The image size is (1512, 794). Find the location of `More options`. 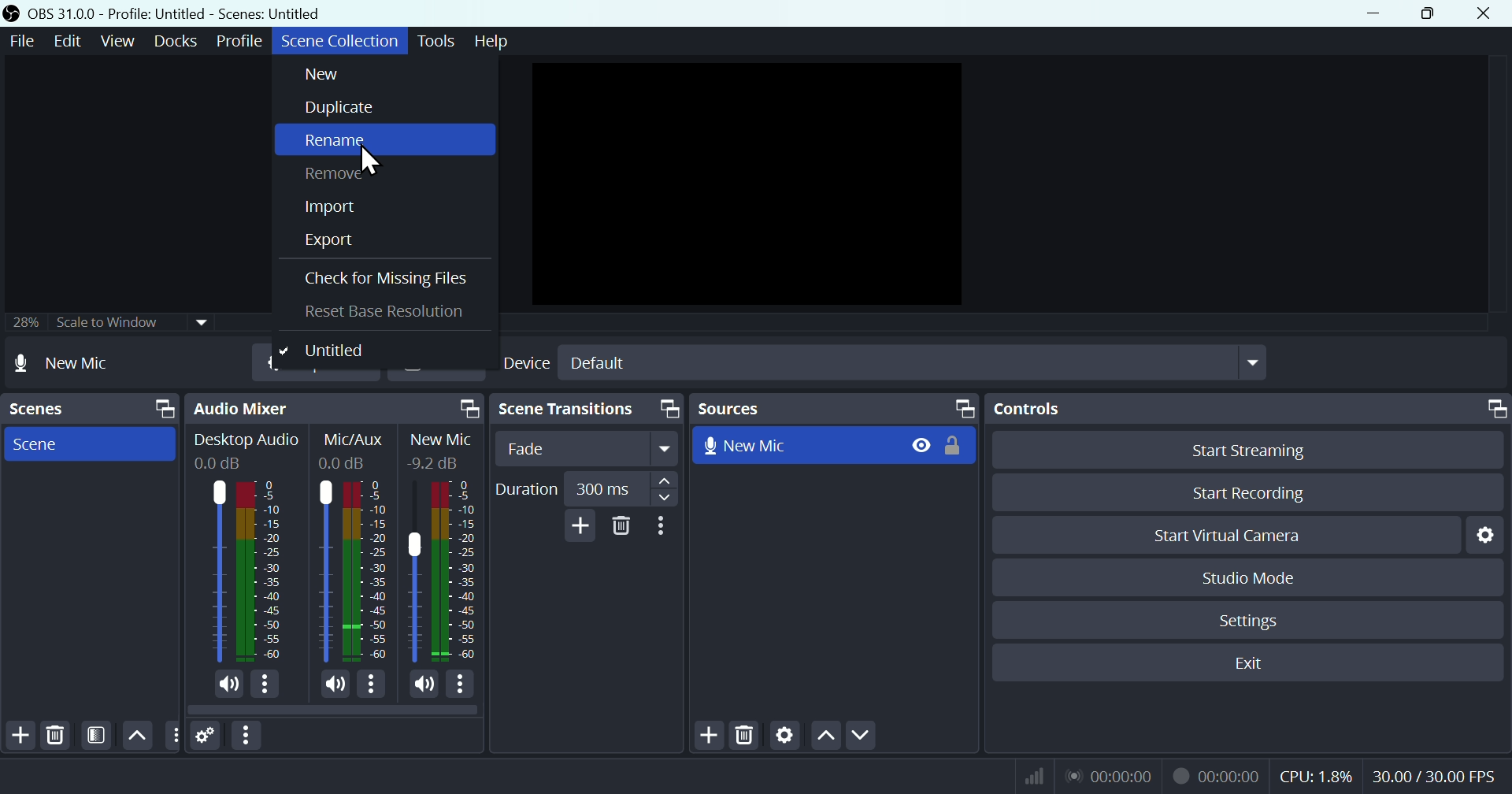

More options is located at coordinates (246, 735).